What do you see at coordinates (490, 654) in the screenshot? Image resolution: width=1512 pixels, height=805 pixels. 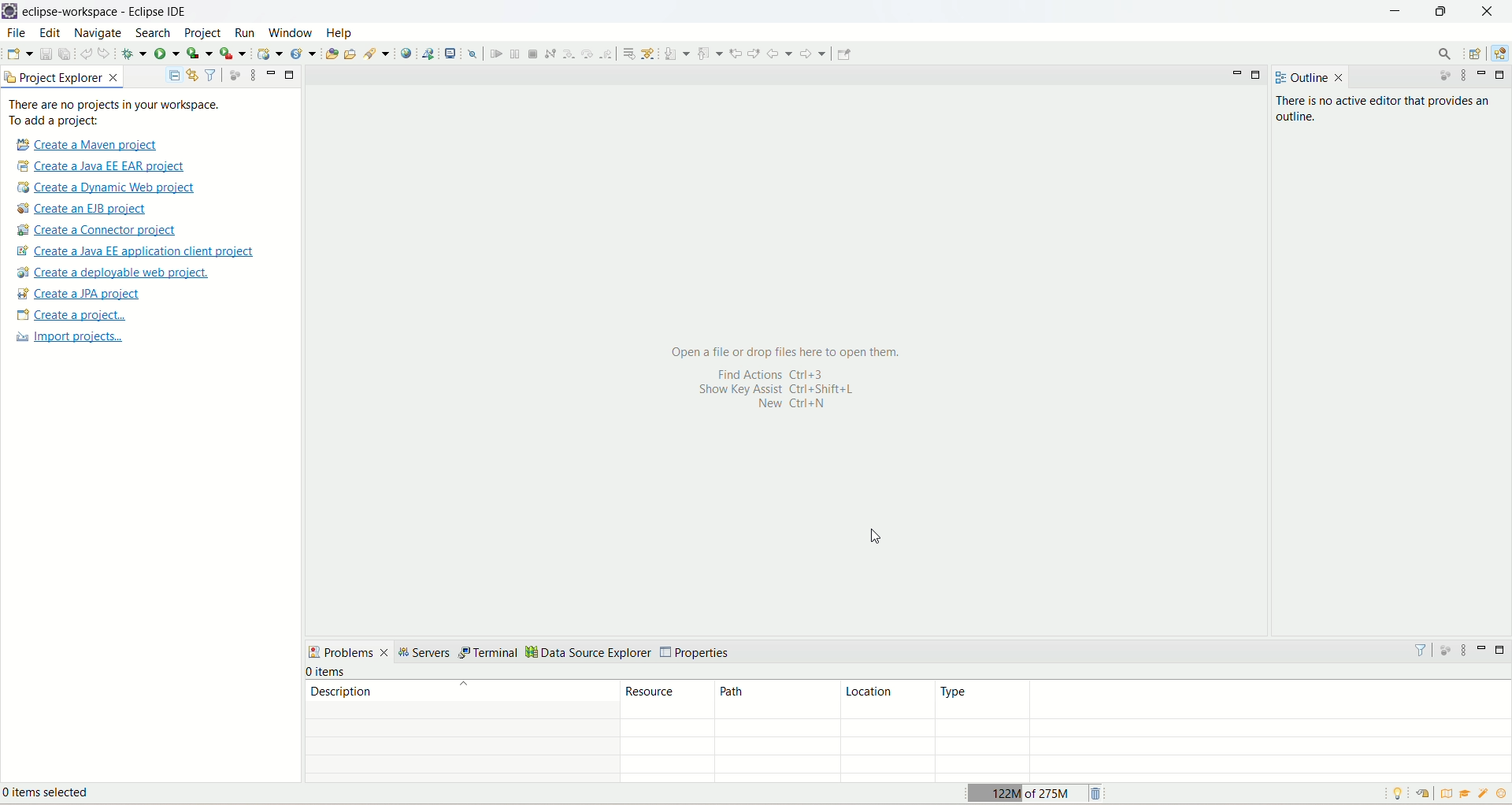 I see `terminal` at bounding box center [490, 654].